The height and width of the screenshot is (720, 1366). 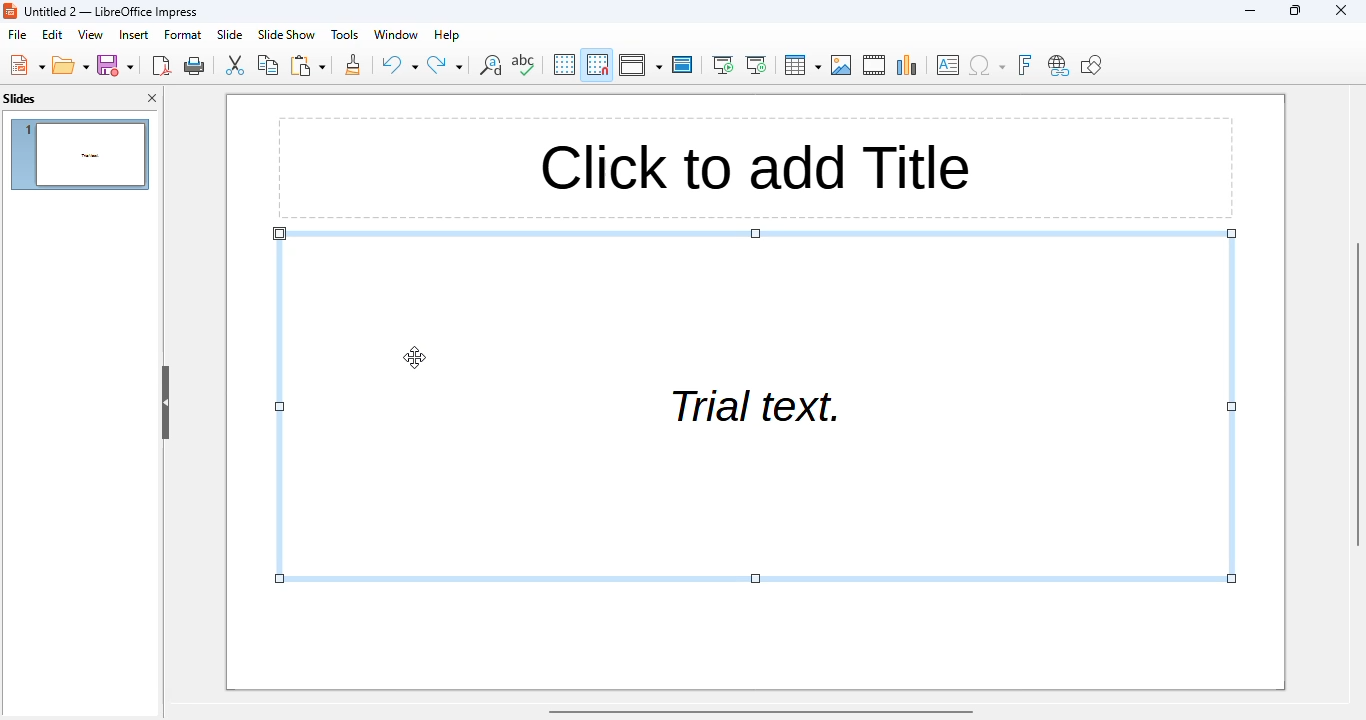 I want to click on minimize, so click(x=1250, y=10).